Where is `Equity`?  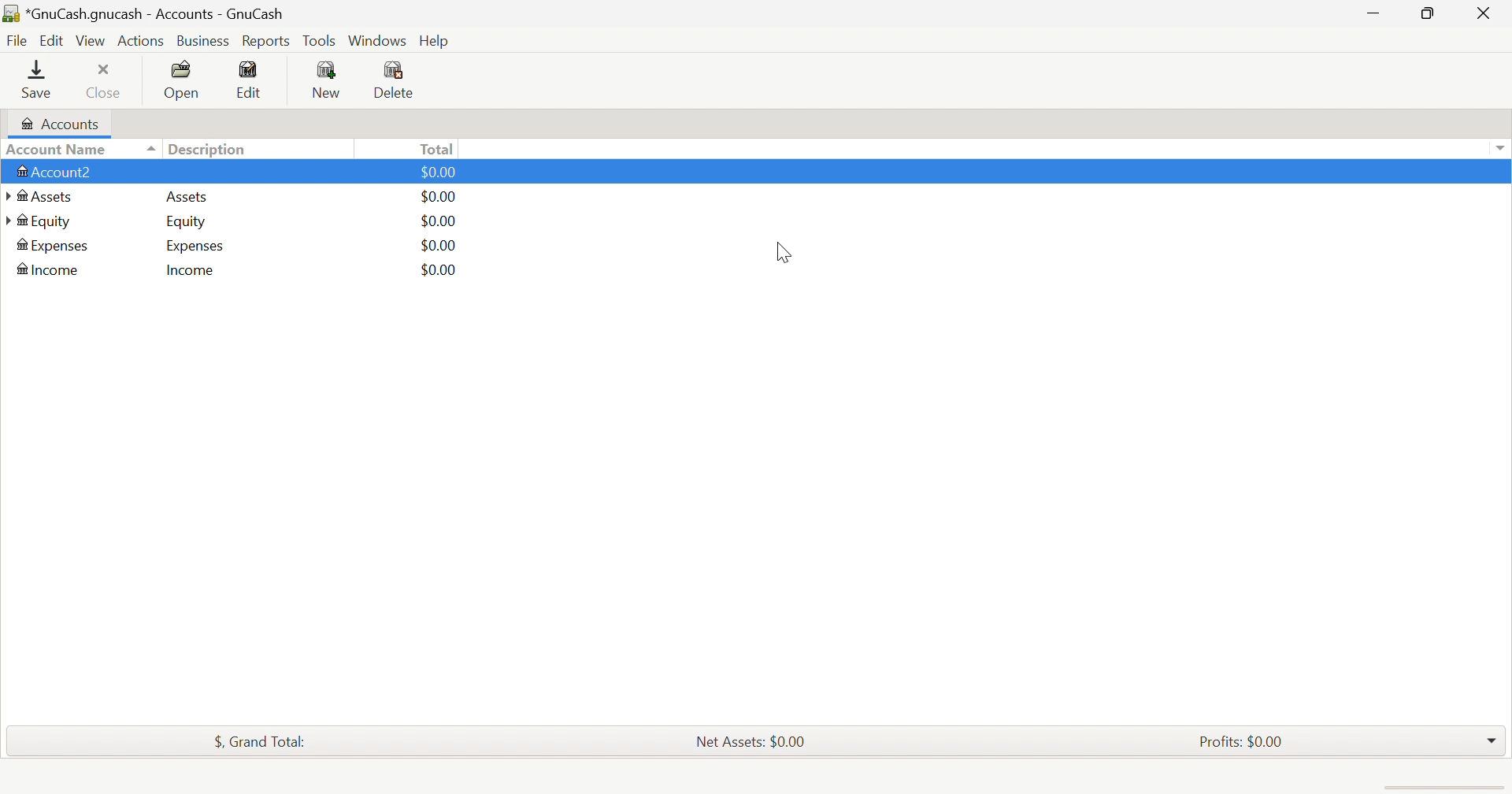 Equity is located at coordinates (187, 224).